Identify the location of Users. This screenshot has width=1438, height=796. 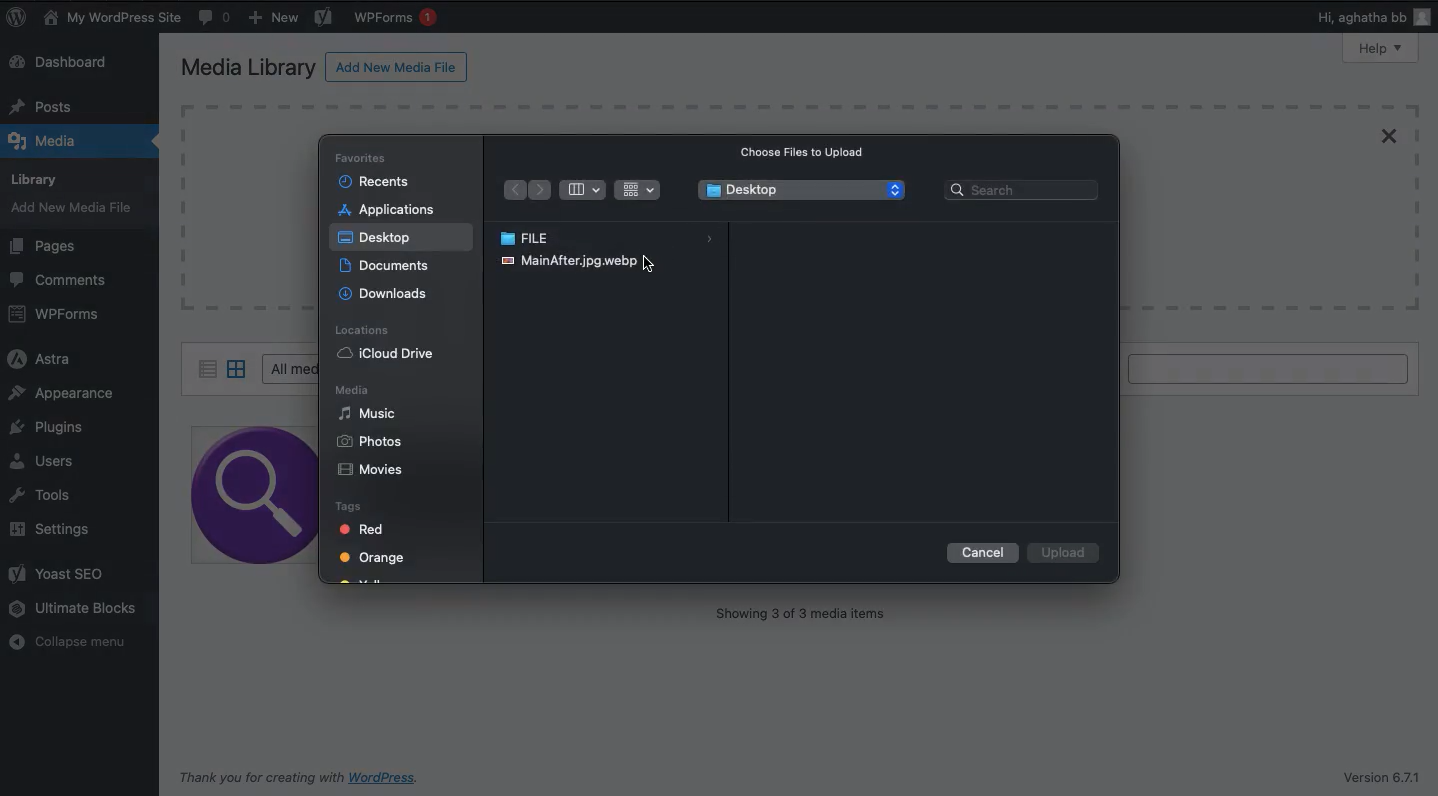
(48, 459).